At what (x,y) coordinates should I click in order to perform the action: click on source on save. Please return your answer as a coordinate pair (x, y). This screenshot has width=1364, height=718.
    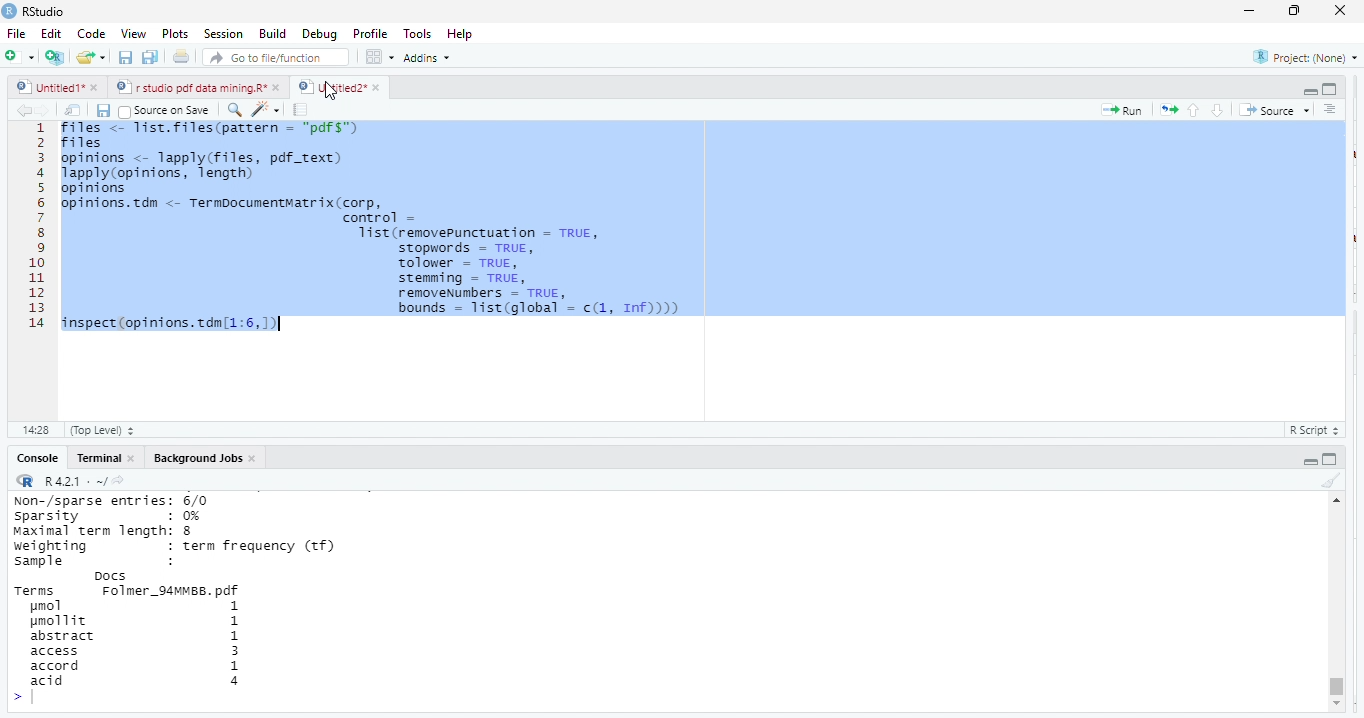
    Looking at the image, I should click on (168, 110).